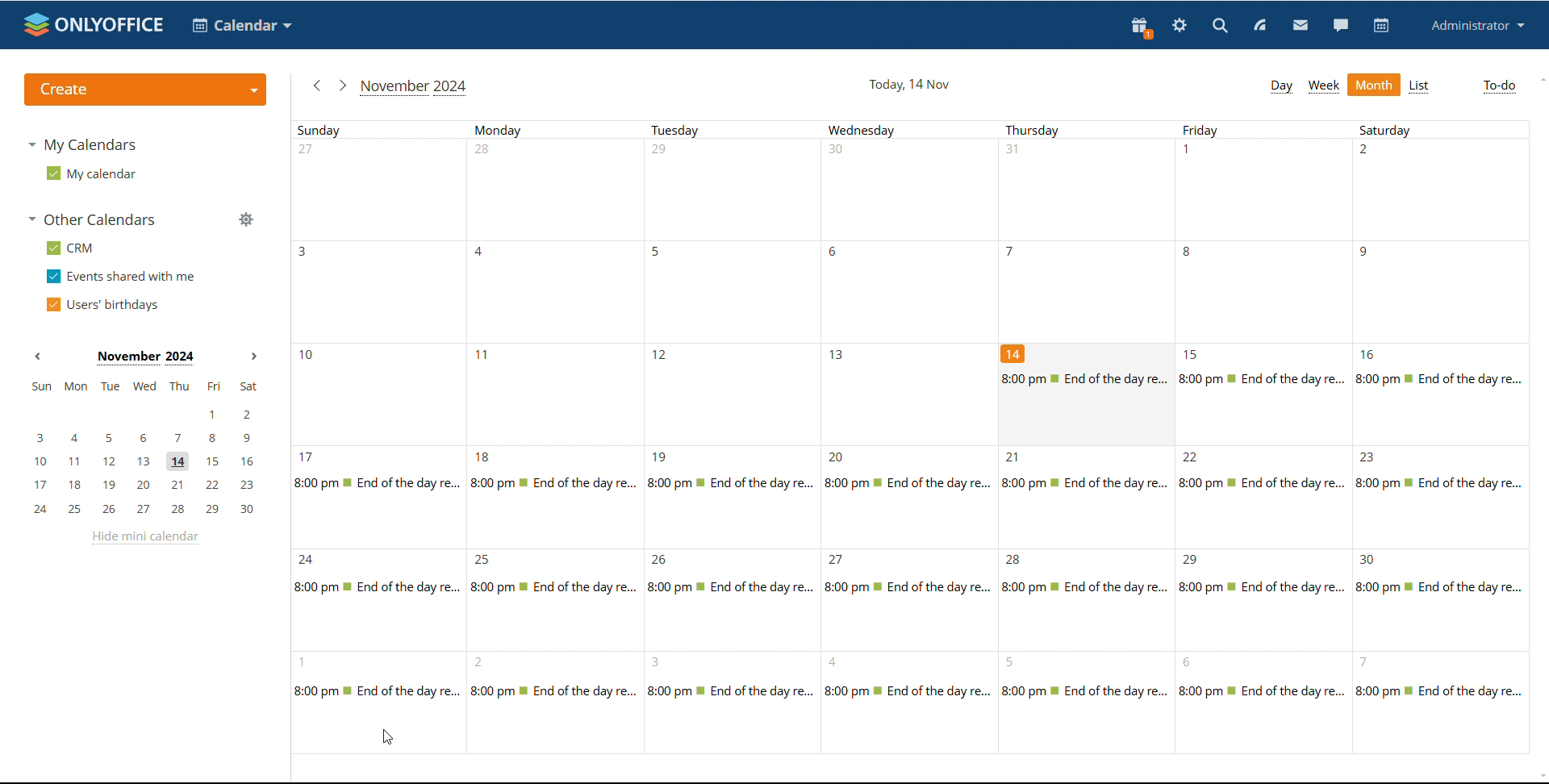  What do you see at coordinates (101, 305) in the screenshot?
I see `users' birthdays` at bounding box center [101, 305].